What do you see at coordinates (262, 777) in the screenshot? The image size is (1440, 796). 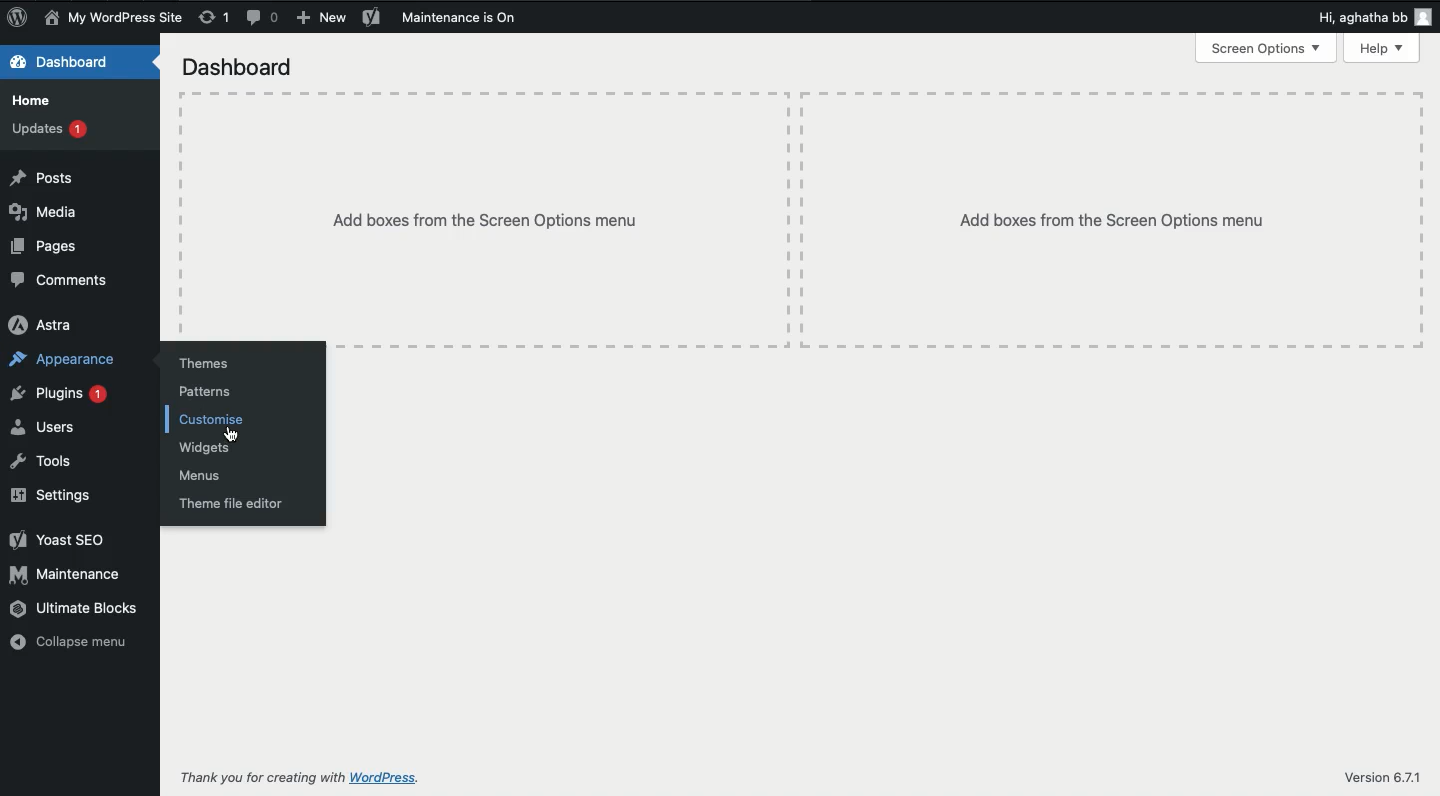 I see `Thank you for creating with` at bounding box center [262, 777].